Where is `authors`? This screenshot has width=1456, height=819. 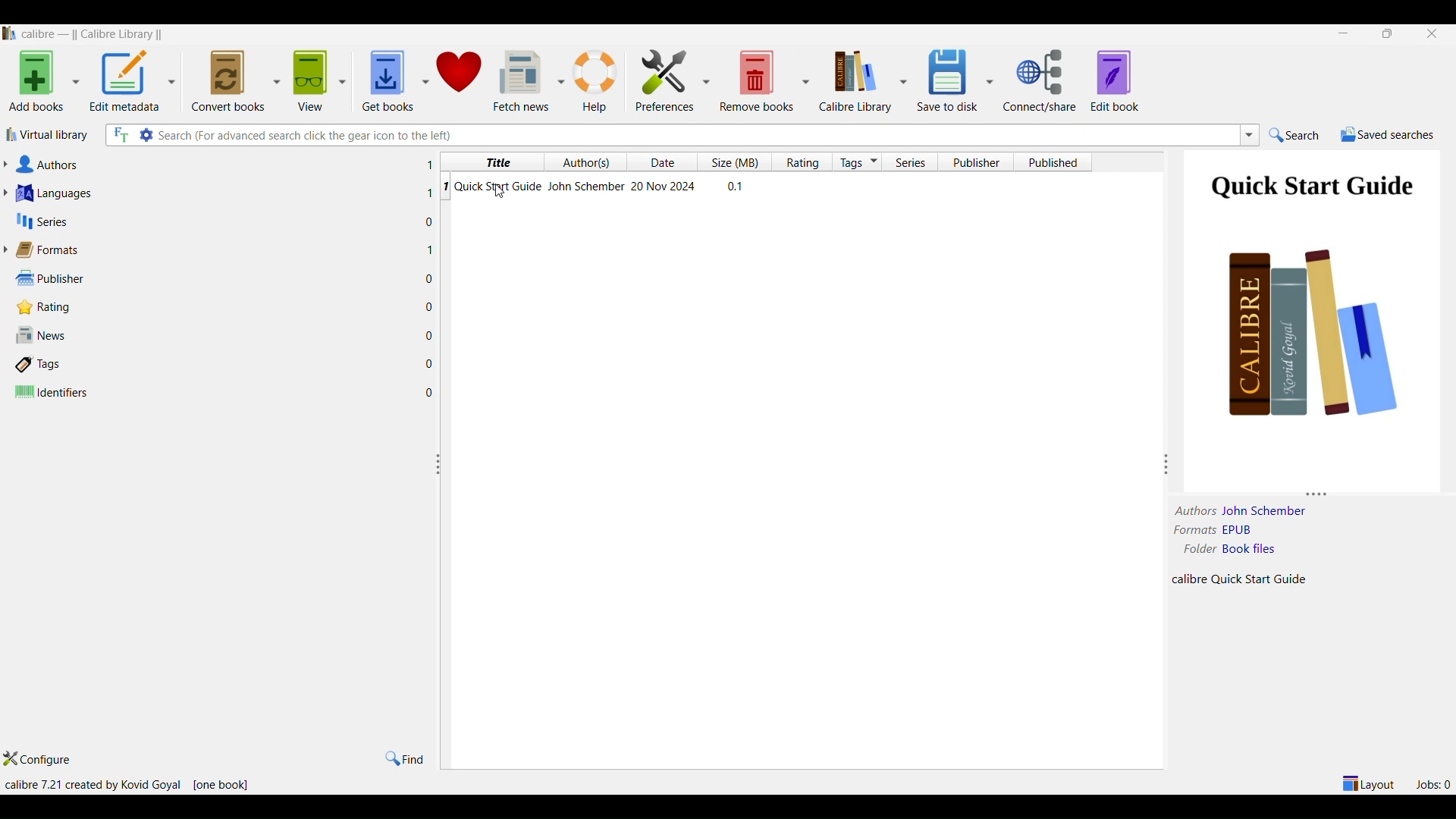 authors is located at coordinates (590, 162).